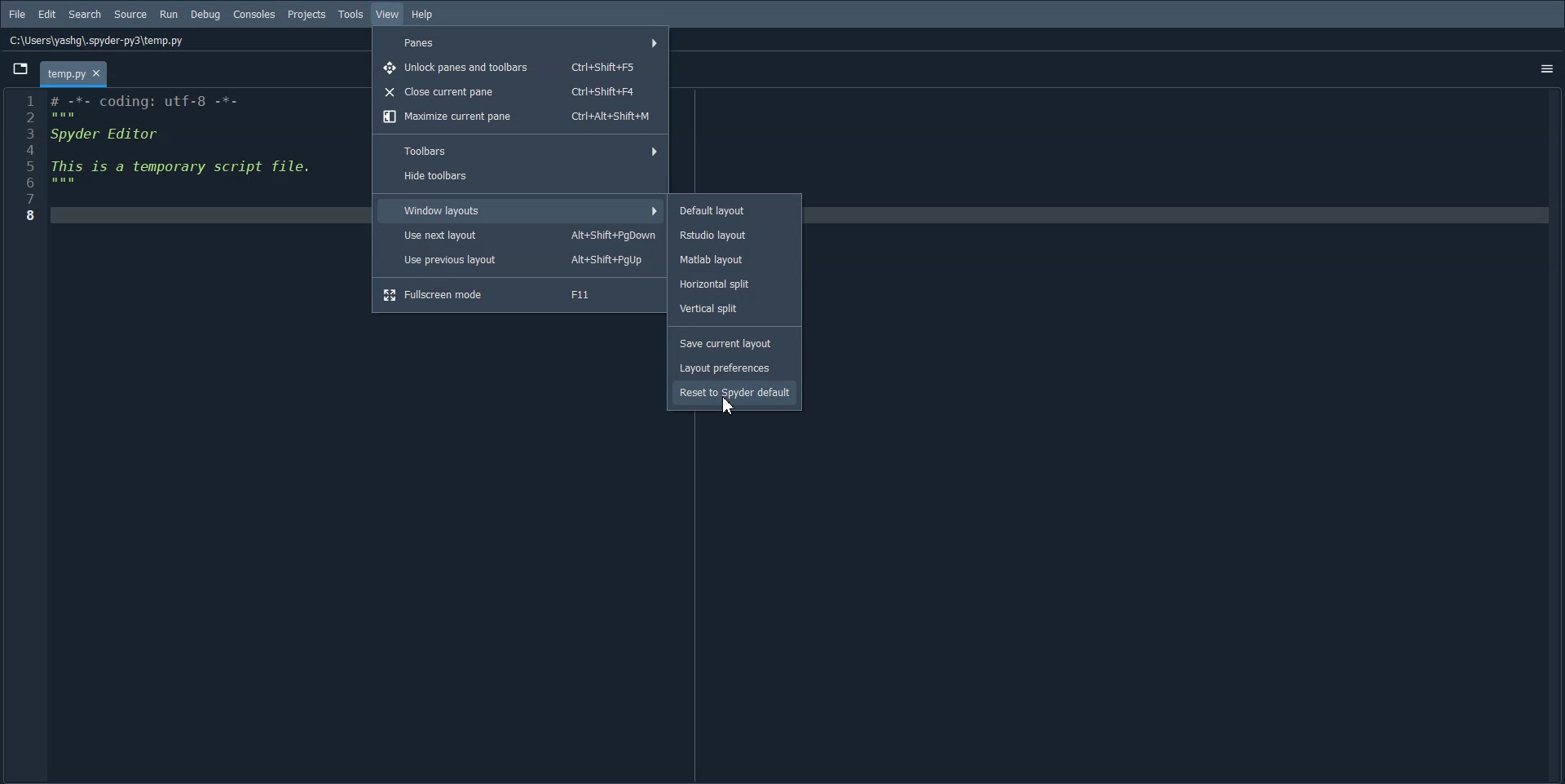 The image size is (1565, 784). What do you see at coordinates (736, 283) in the screenshot?
I see `Horizontal split` at bounding box center [736, 283].